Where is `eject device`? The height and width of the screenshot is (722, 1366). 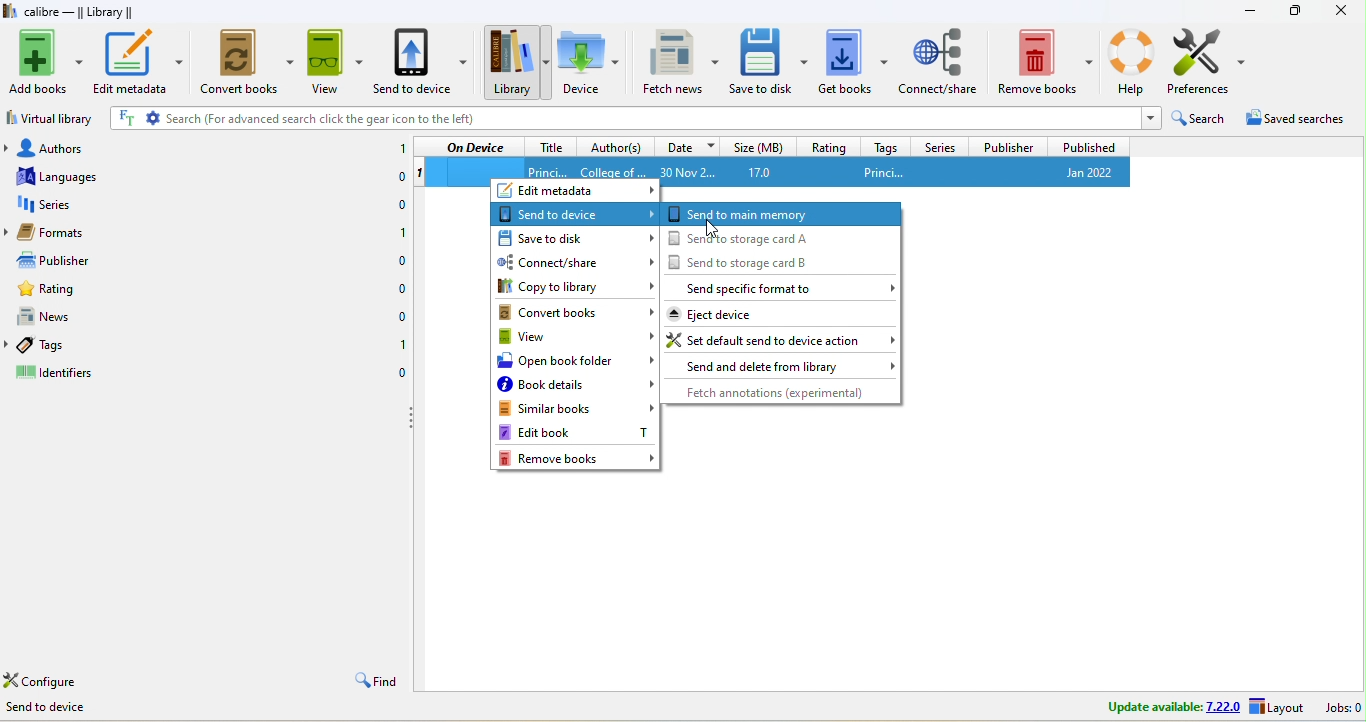
eject device is located at coordinates (780, 313).